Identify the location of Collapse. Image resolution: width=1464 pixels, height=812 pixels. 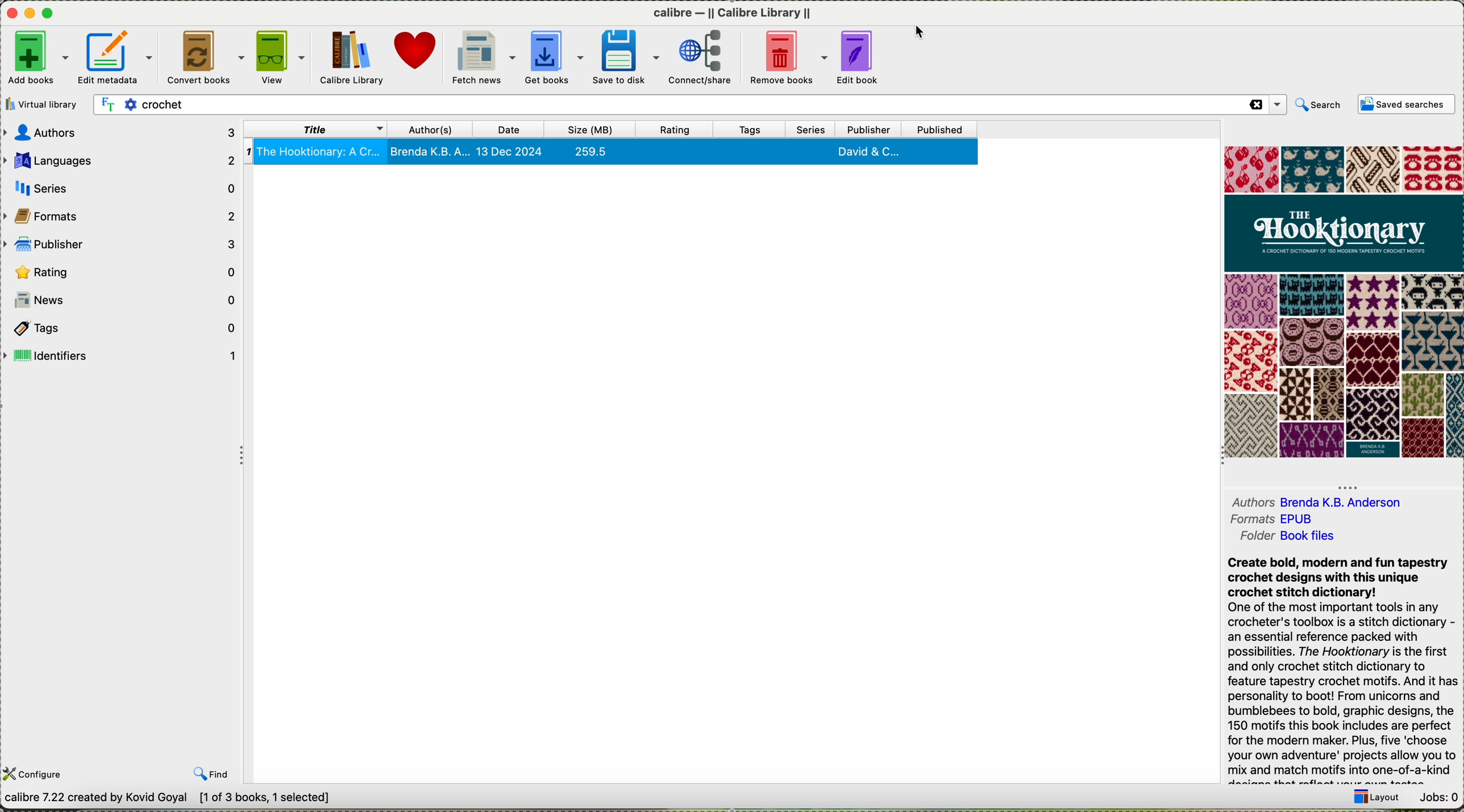
(1347, 486).